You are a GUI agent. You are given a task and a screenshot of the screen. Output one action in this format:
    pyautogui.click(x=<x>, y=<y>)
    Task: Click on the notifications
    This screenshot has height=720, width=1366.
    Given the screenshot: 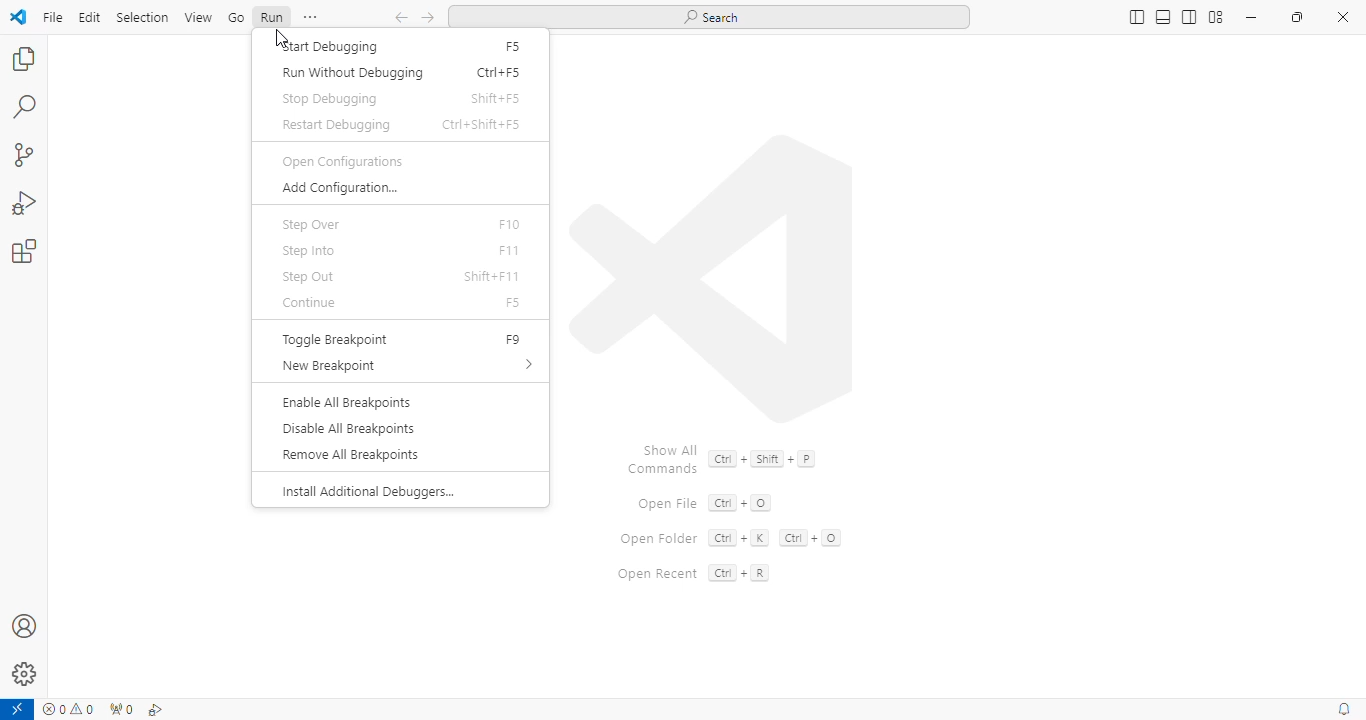 What is the action you would take?
    pyautogui.click(x=1346, y=710)
    